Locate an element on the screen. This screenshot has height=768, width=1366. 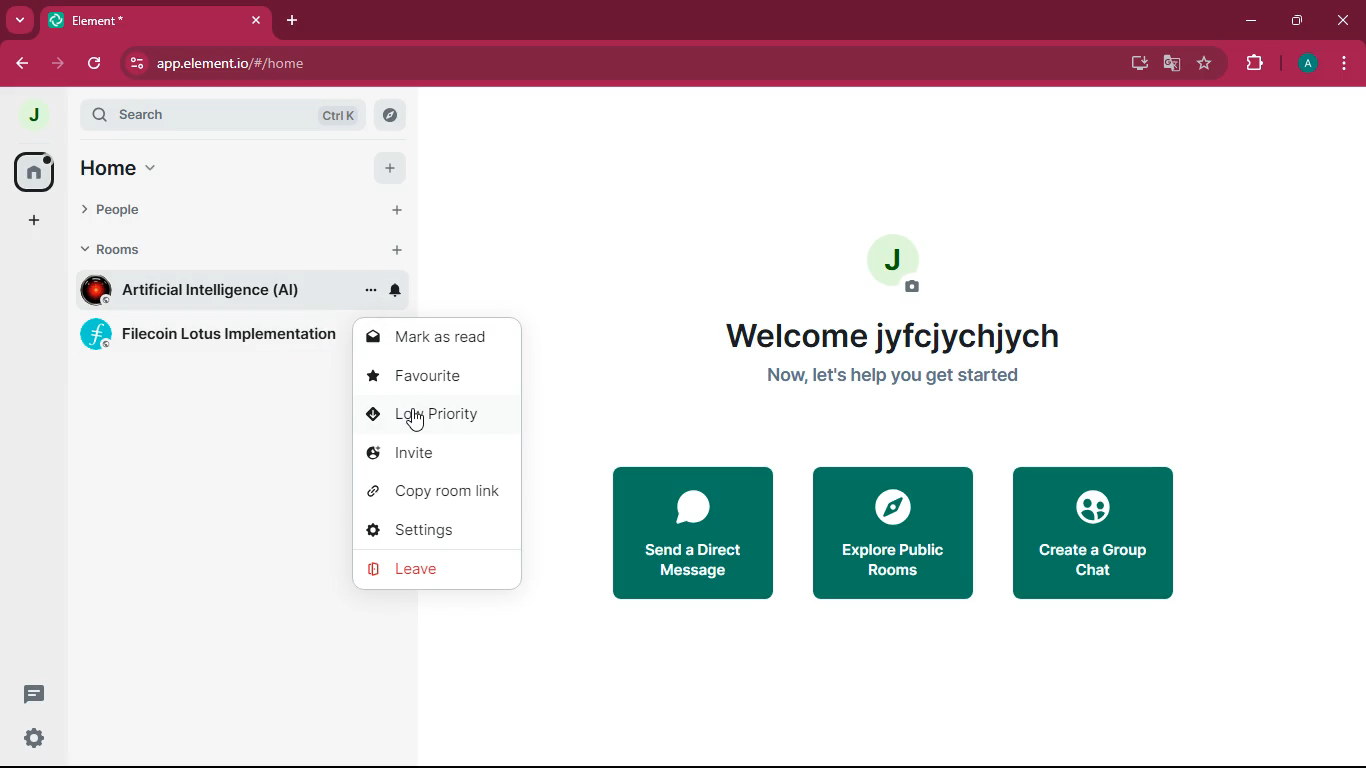
desktop is located at coordinates (1136, 62).